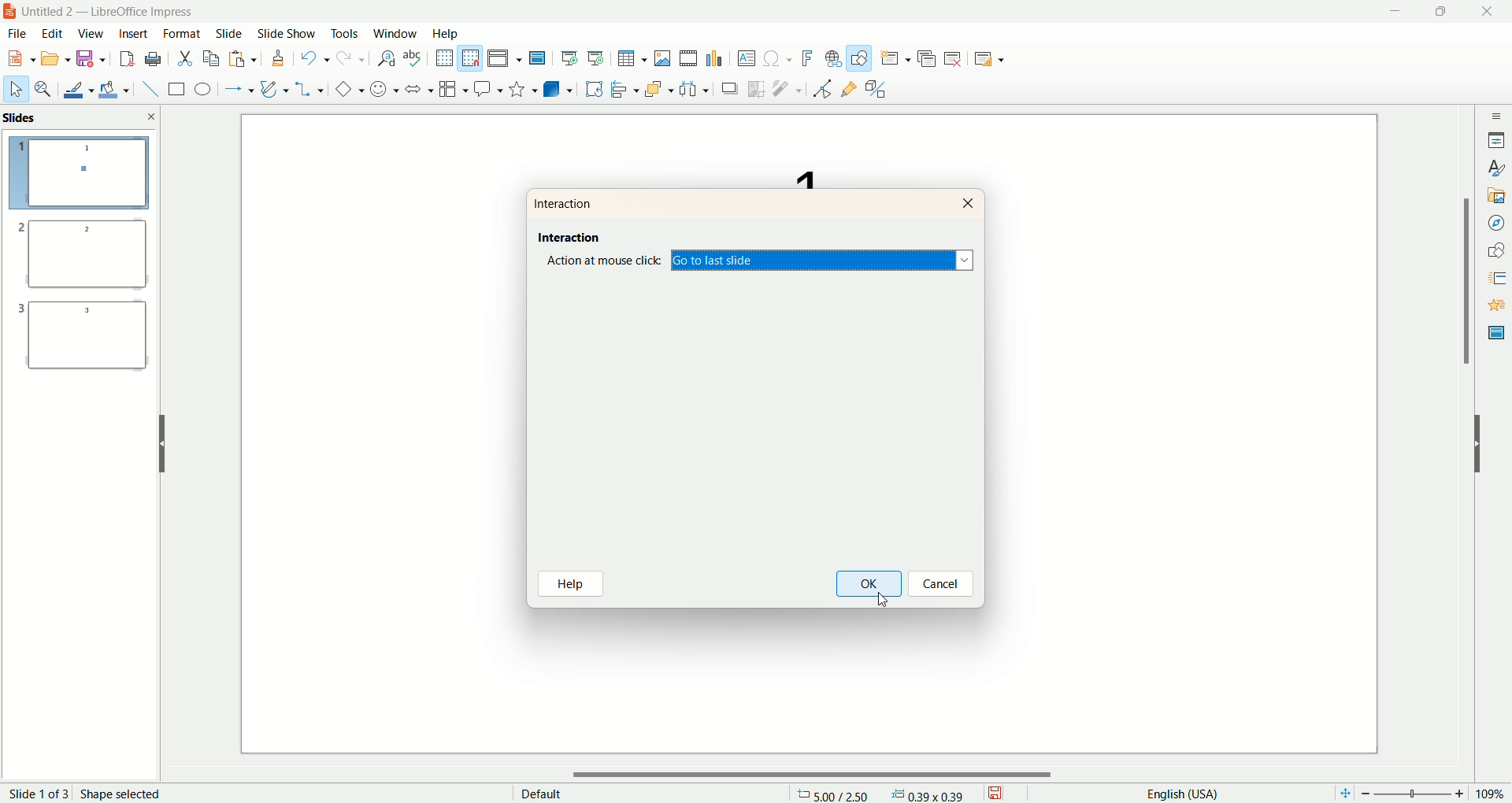 The image size is (1512, 803). Describe the element at coordinates (91, 60) in the screenshot. I see `save` at that location.